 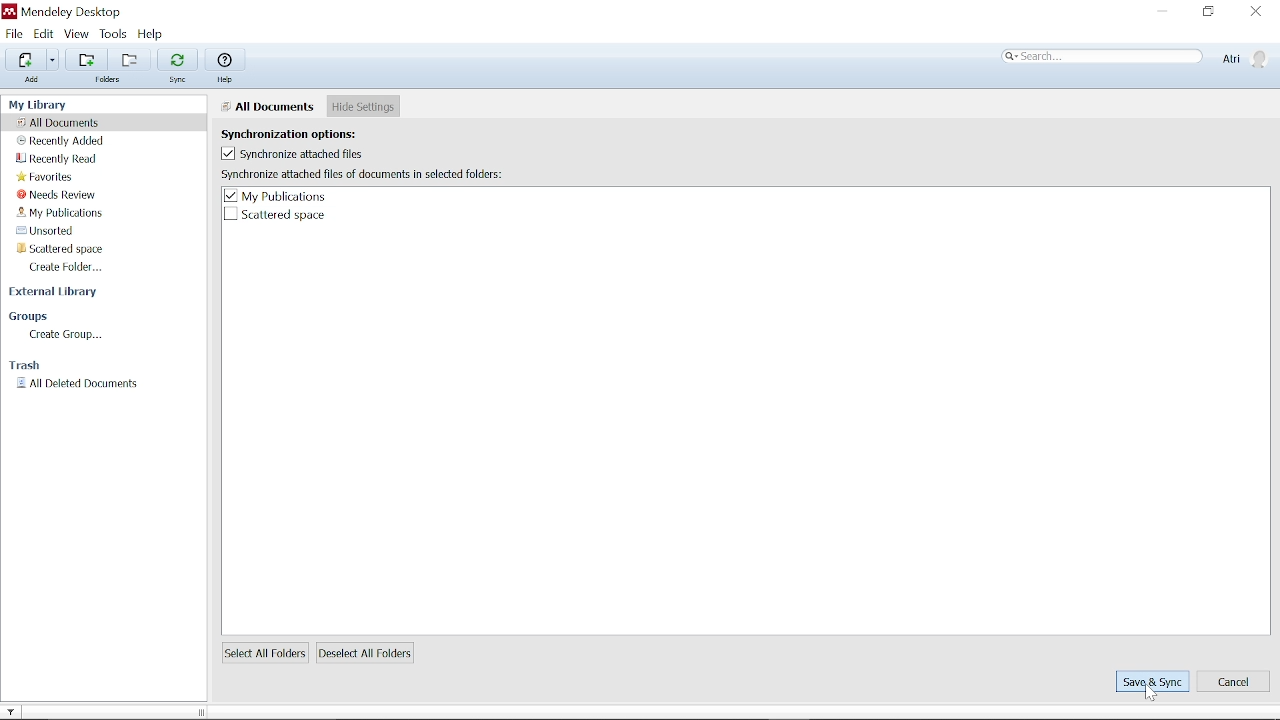 What do you see at coordinates (115, 35) in the screenshot?
I see `Tools` at bounding box center [115, 35].